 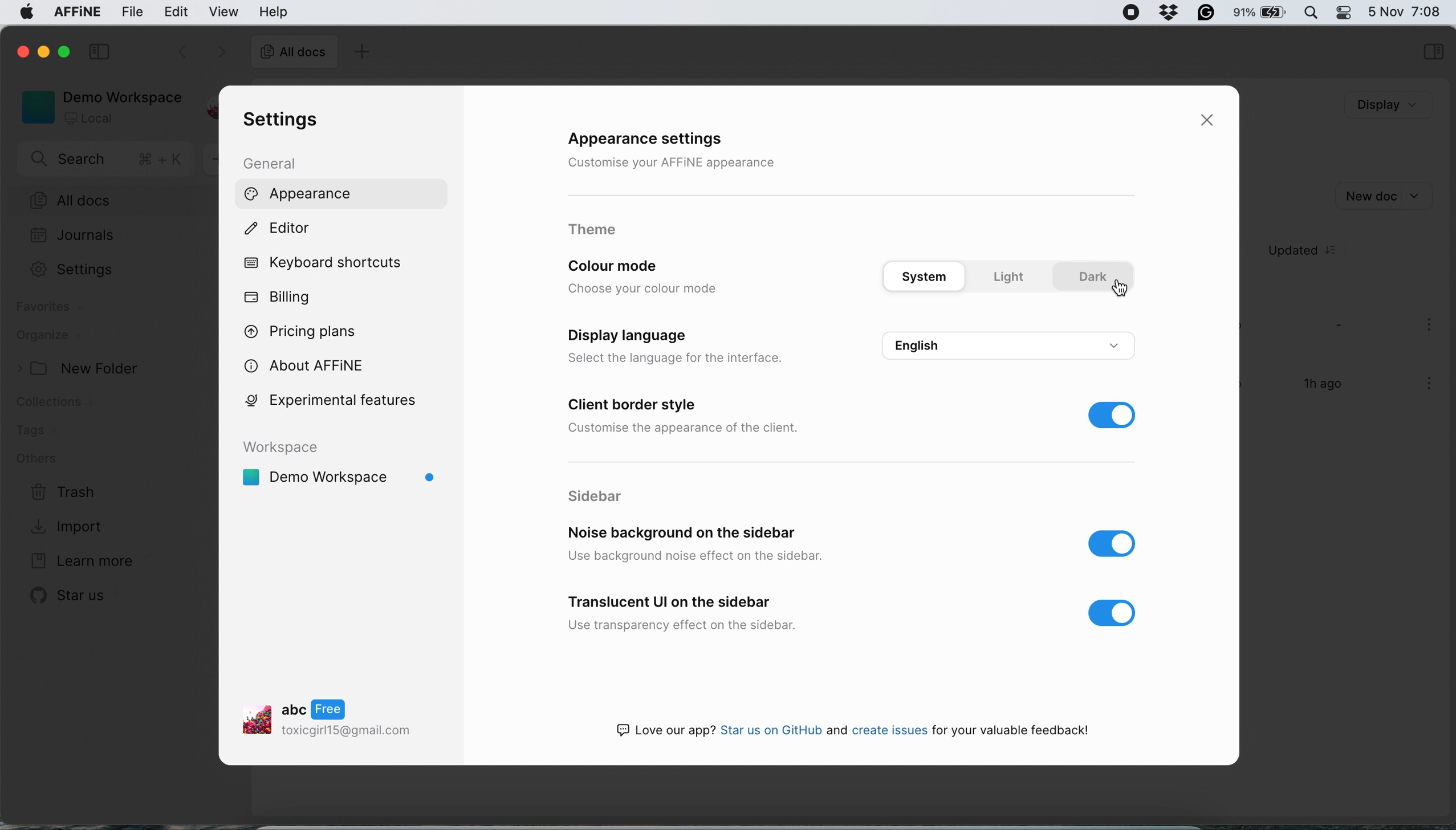 I want to click on toggle button, so click(x=1114, y=616).